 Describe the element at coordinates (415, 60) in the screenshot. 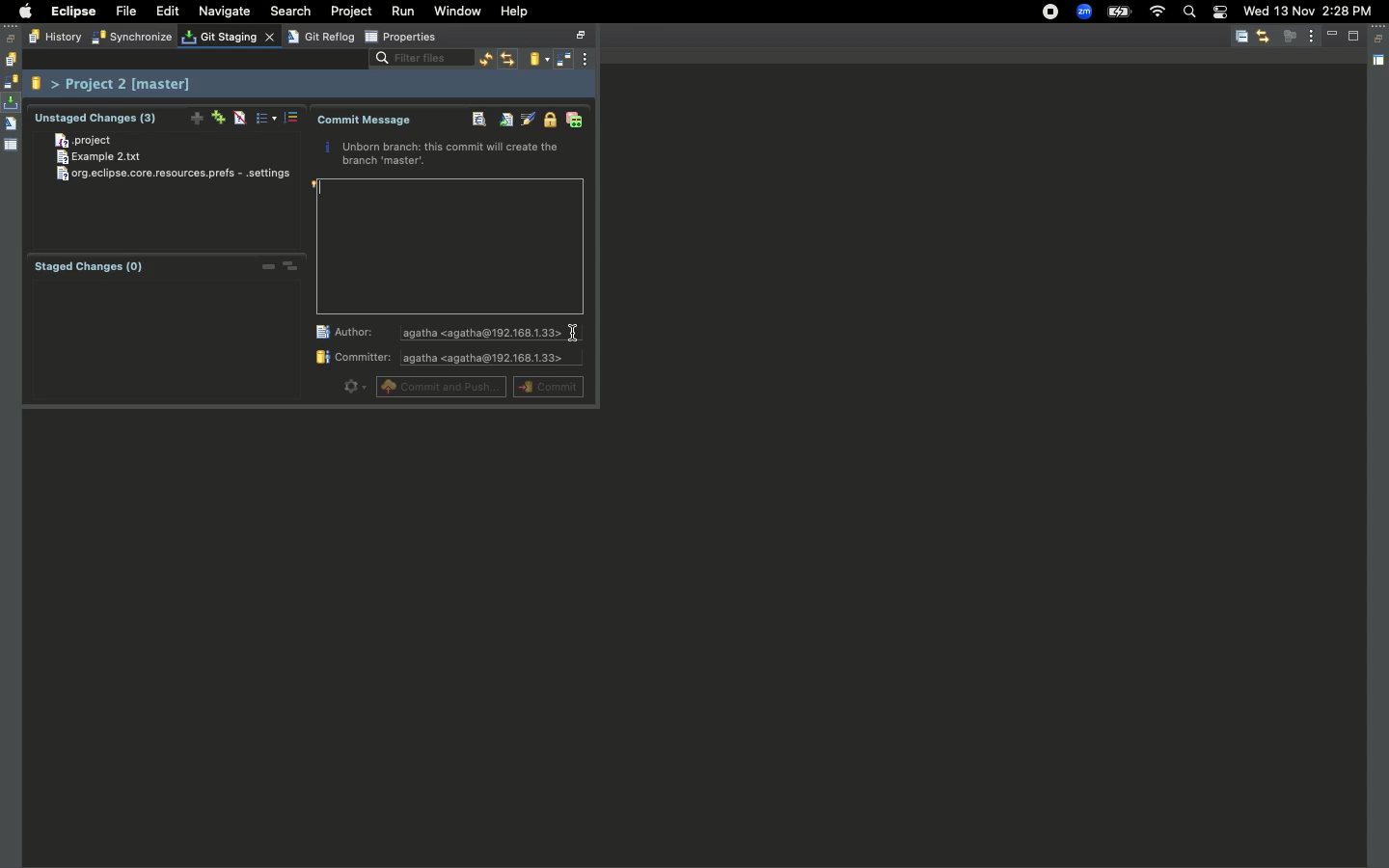

I see `Filter files` at that location.